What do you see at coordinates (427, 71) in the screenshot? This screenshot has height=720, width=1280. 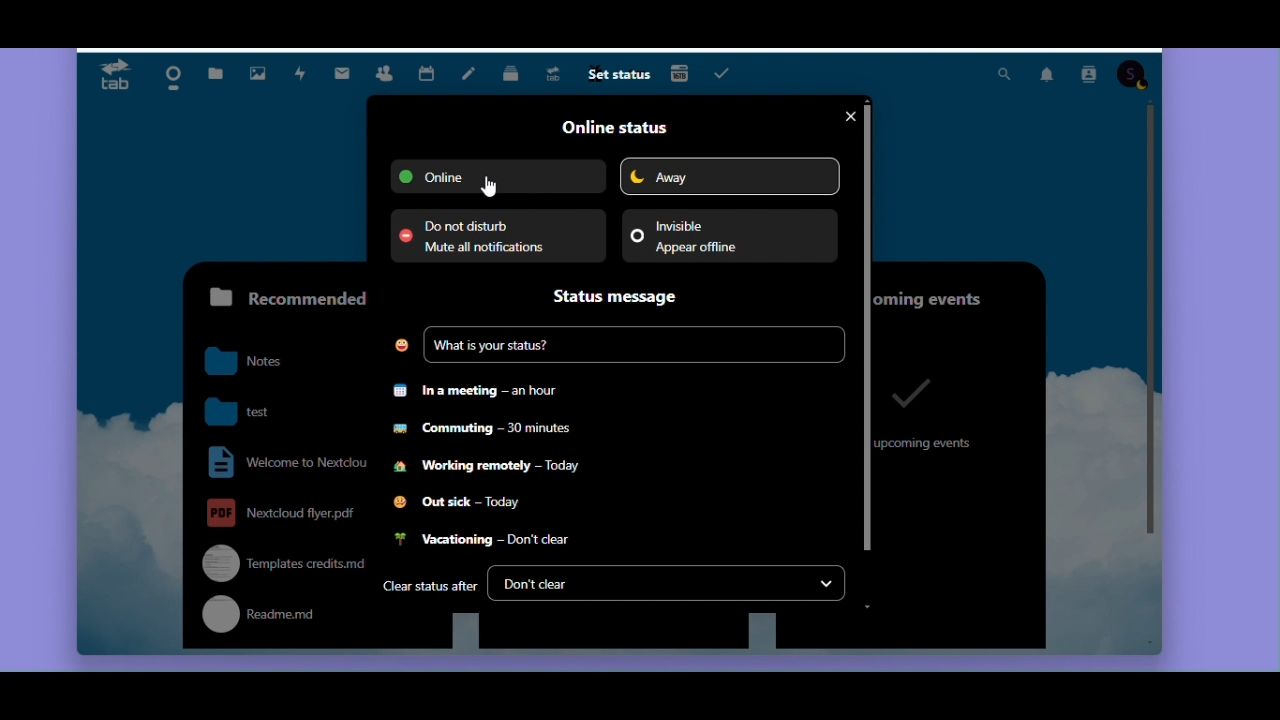 I see `Calendar` at bounding box center [427, 71].